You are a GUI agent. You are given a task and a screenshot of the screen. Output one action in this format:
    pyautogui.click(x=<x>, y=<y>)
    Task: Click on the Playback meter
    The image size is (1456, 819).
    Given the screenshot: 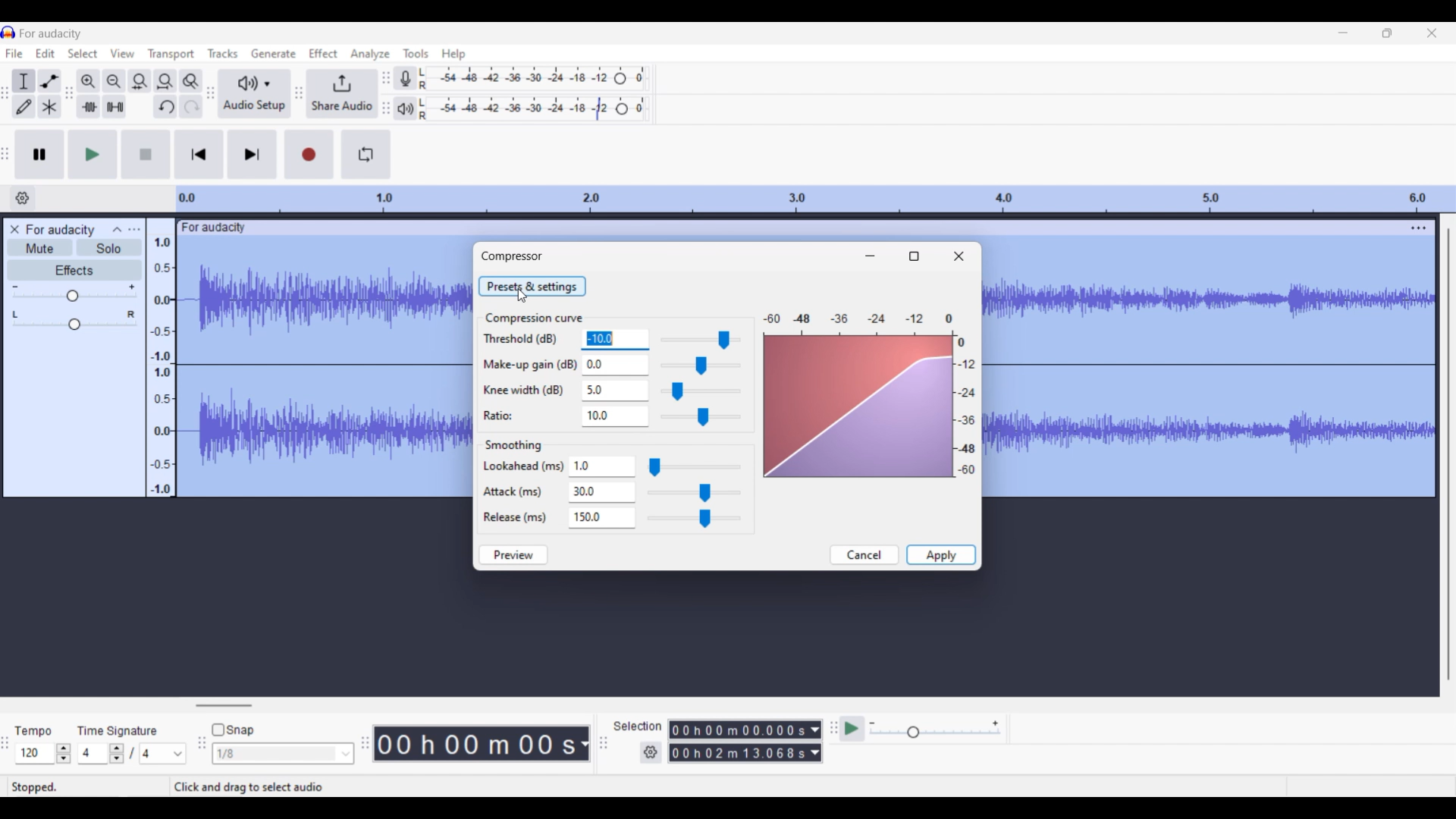 What is the action you would take?
    pyautogui.click(x=406, y=109)
    